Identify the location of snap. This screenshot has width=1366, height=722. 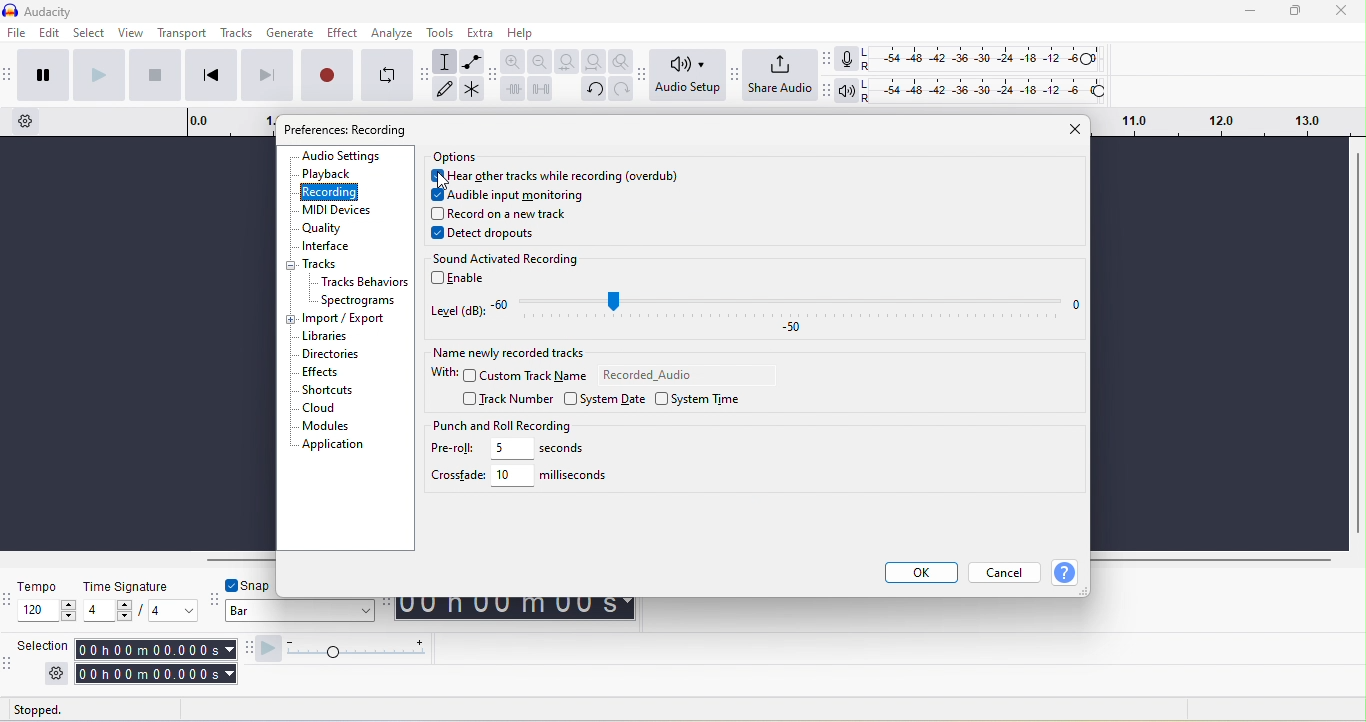
(249, 586).